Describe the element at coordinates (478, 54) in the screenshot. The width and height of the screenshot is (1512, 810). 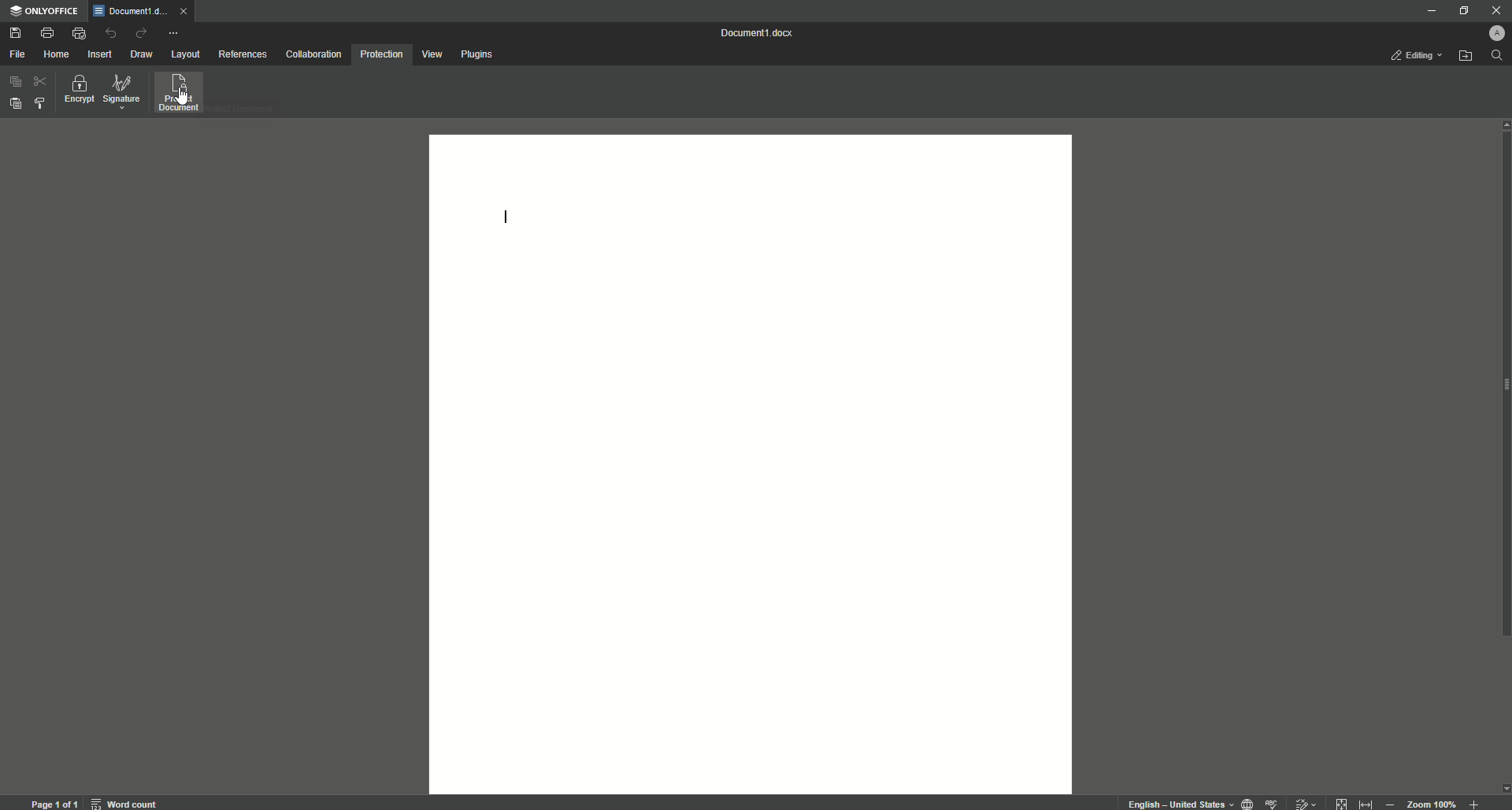
I see `Plugins` at that location.